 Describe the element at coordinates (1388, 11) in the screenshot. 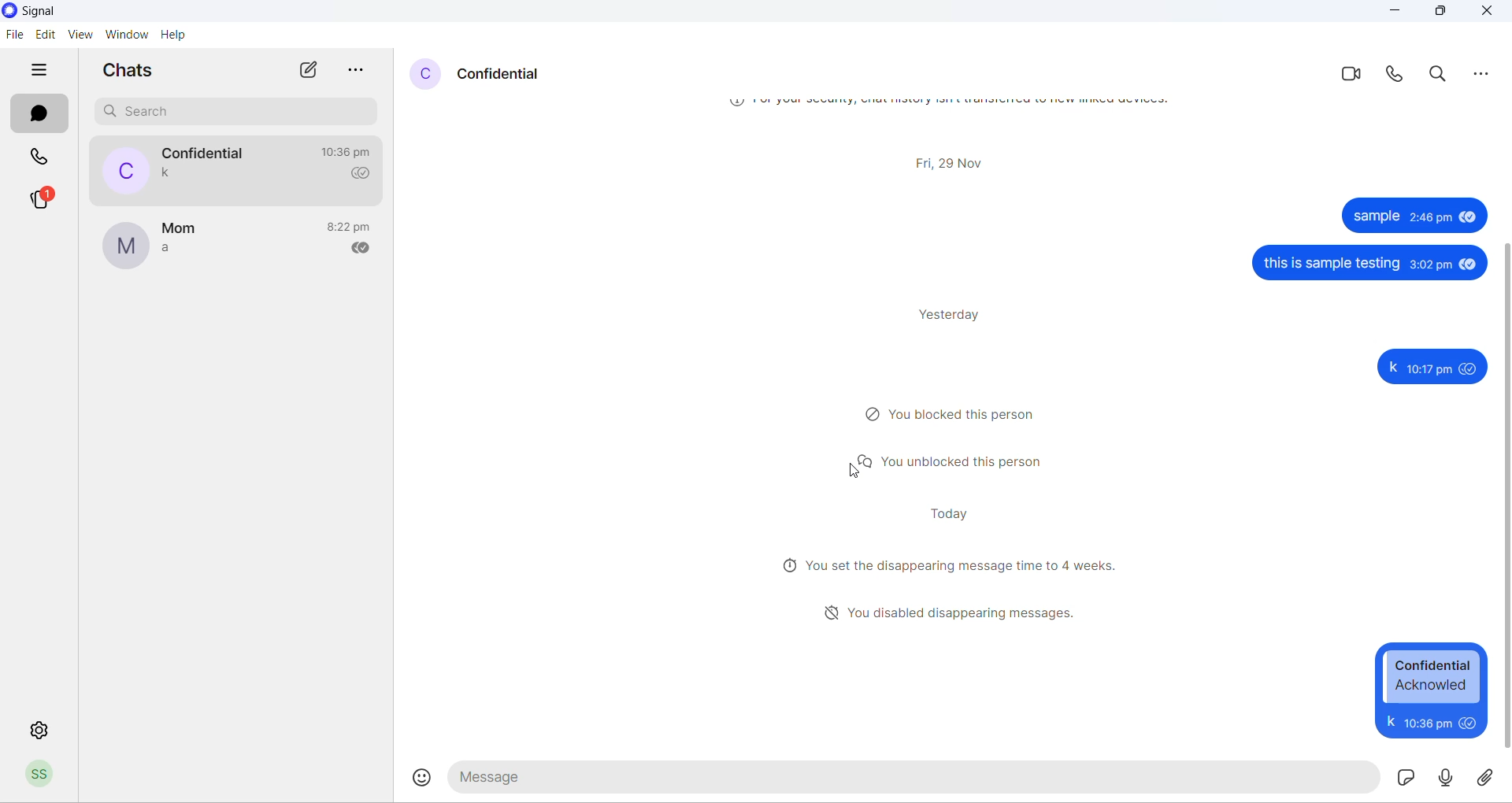

I see `minimize` at that location.